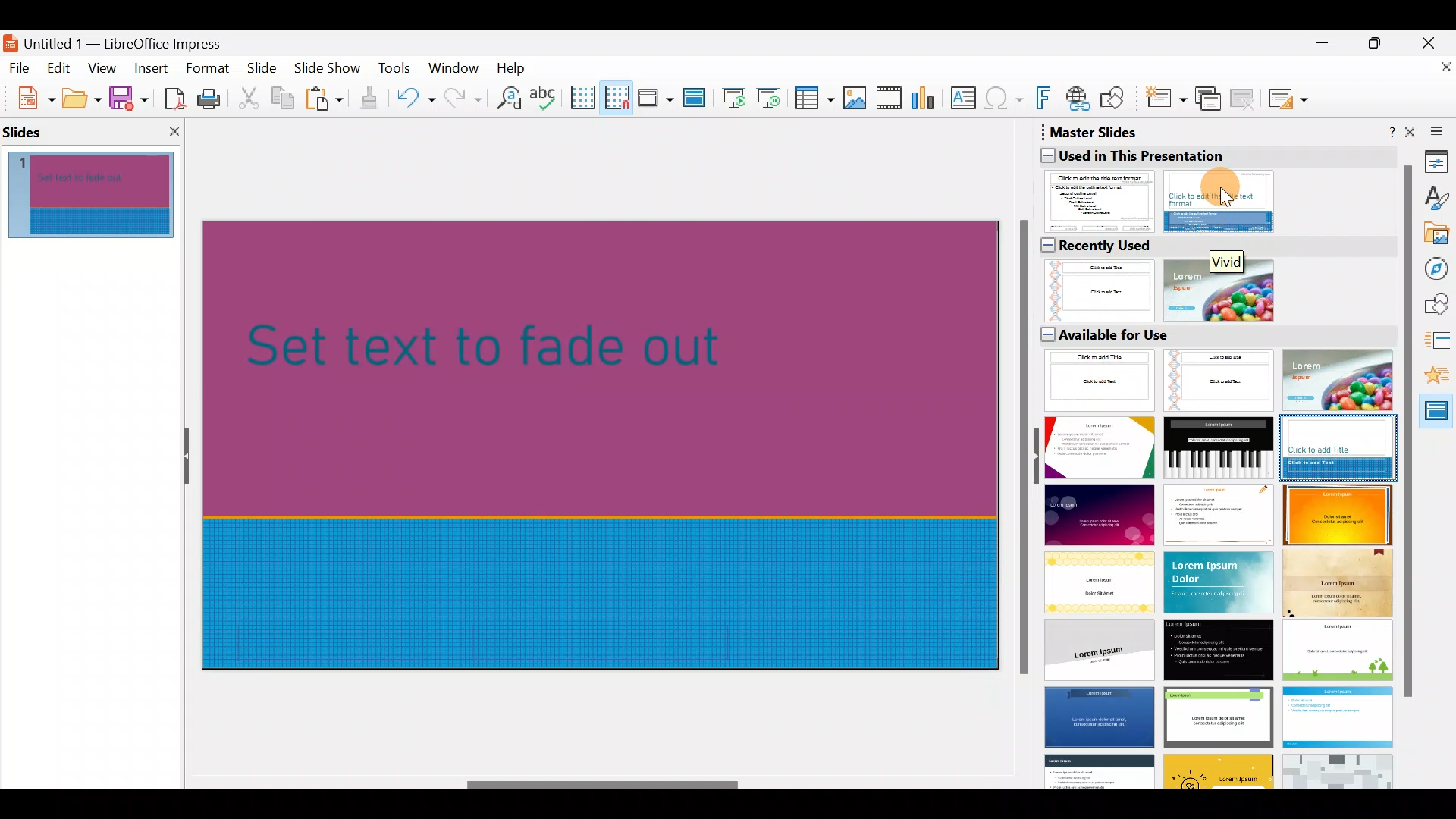 The width and height of the screenshot is (1456, 819). I want to click on Properties, so click(1437, 161).